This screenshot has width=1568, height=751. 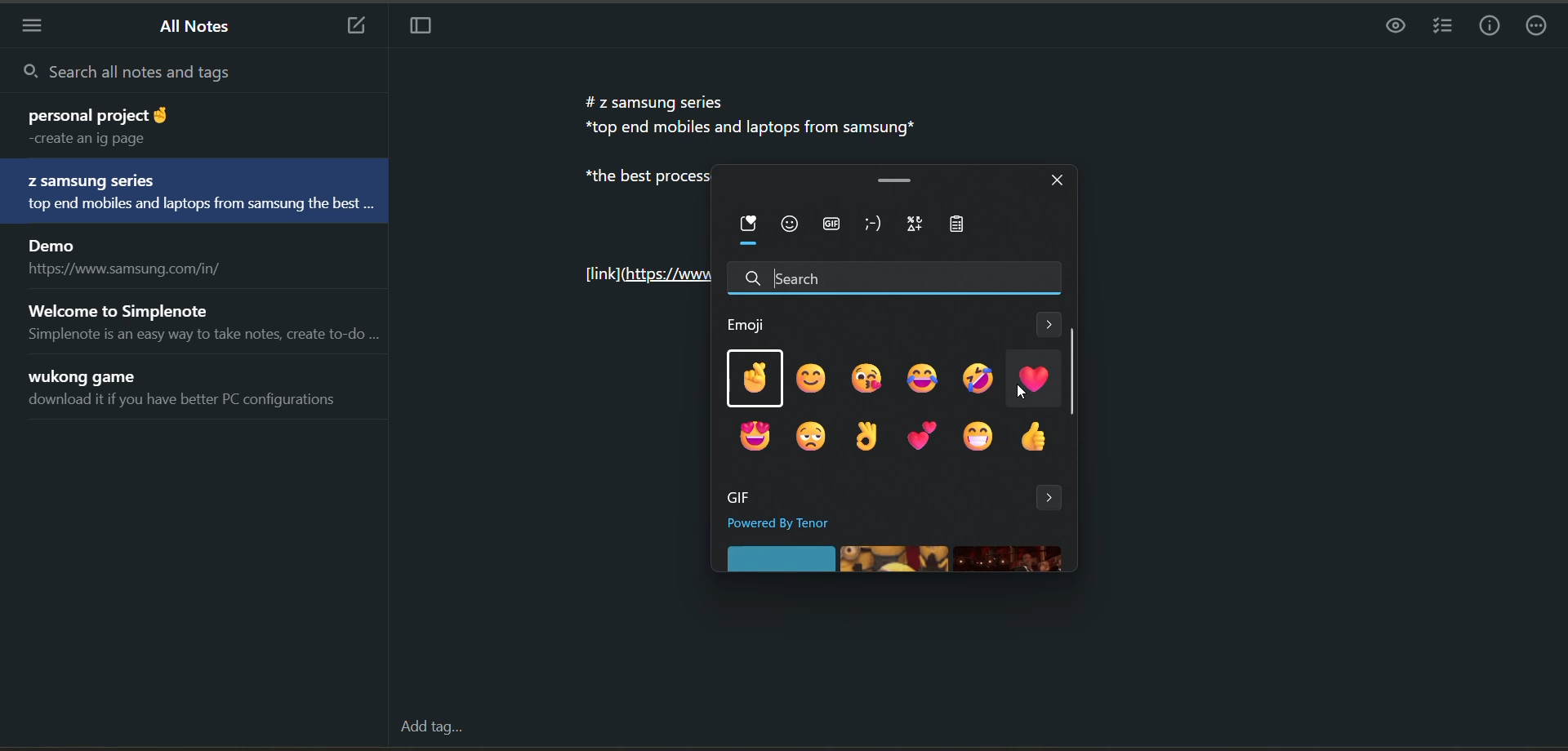 I want to click on emoji 7, so click(x=752, y=434).